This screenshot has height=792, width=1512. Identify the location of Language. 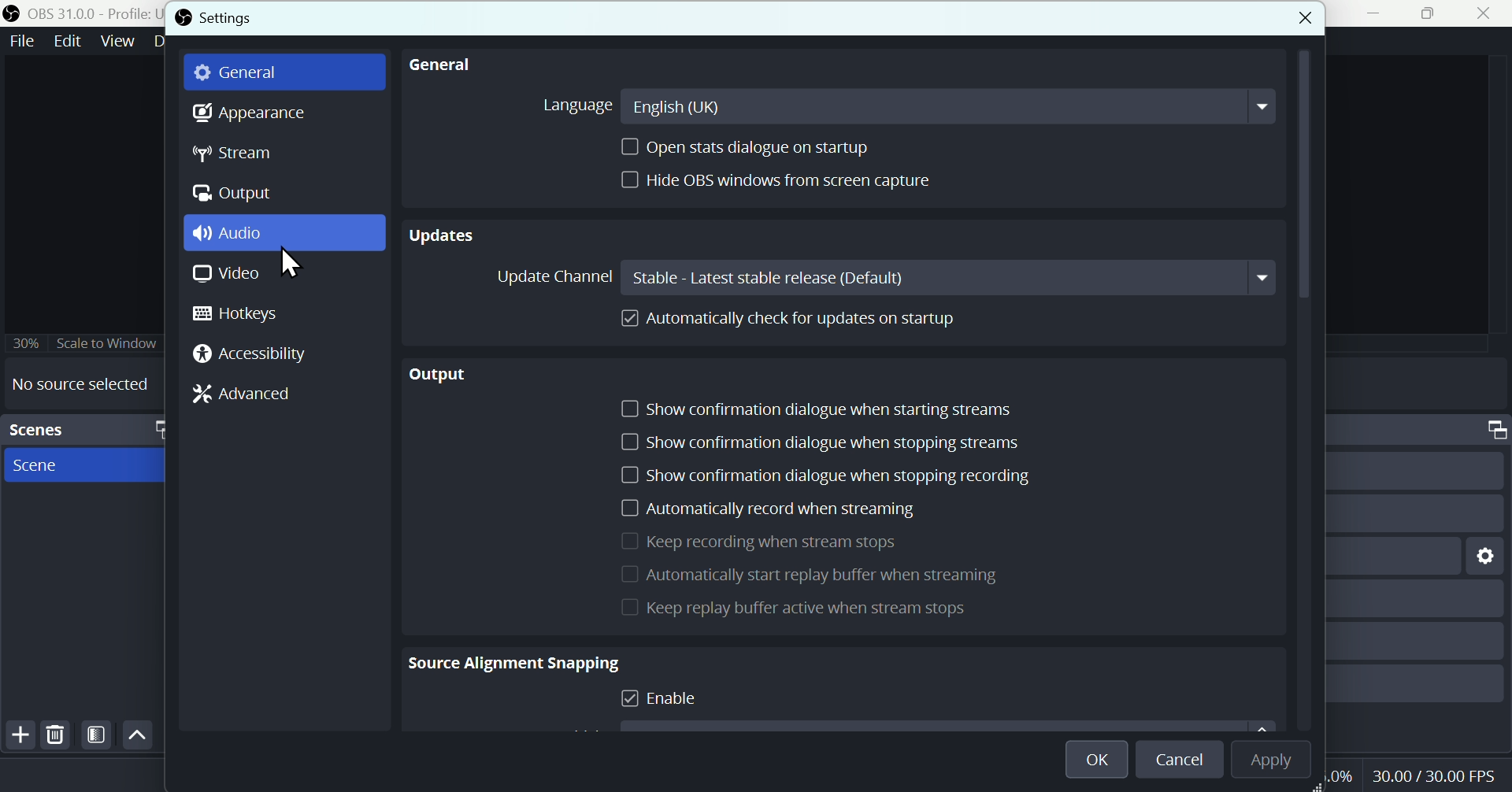
(902, 103).